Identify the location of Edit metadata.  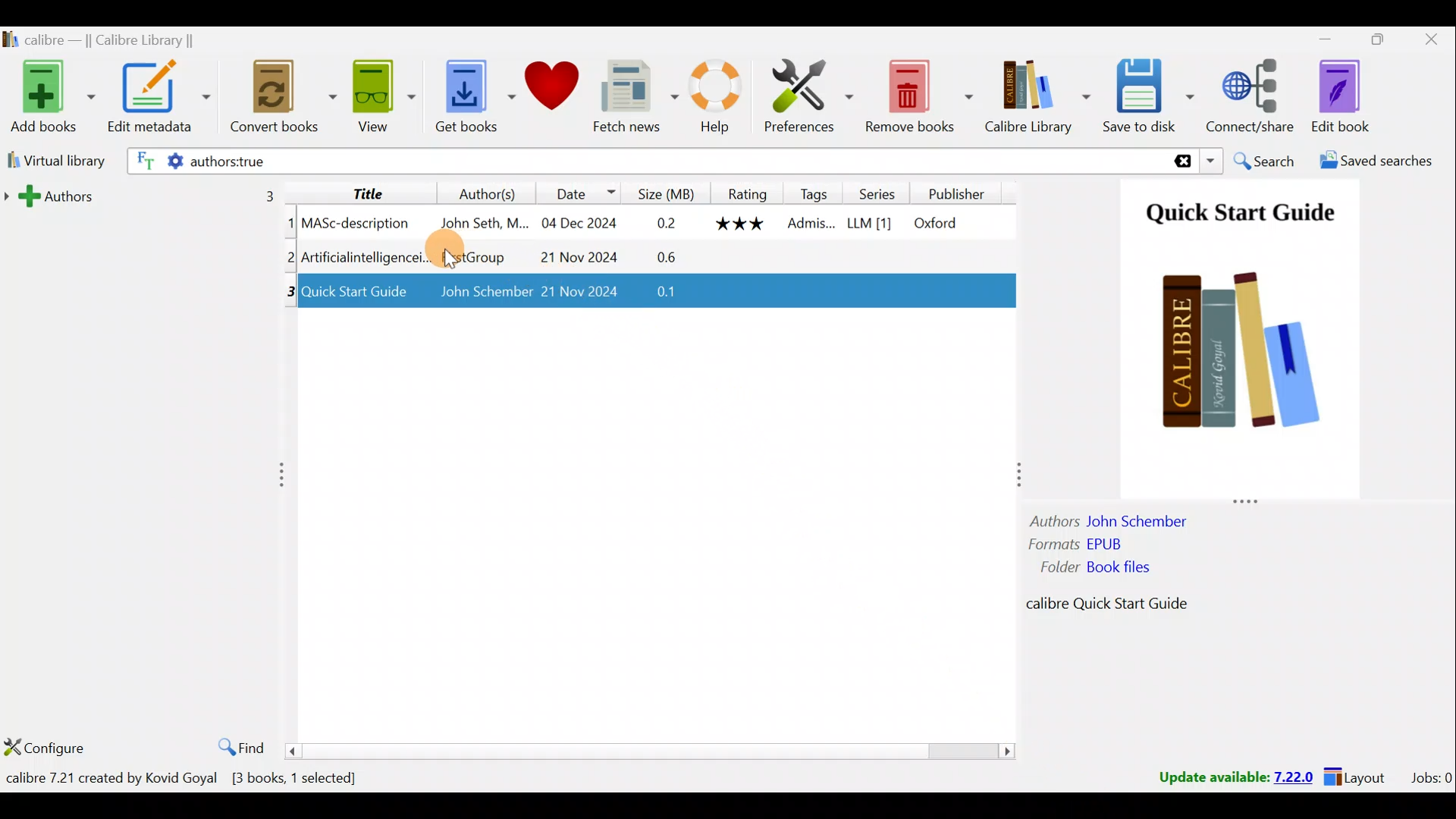
(158, 99).